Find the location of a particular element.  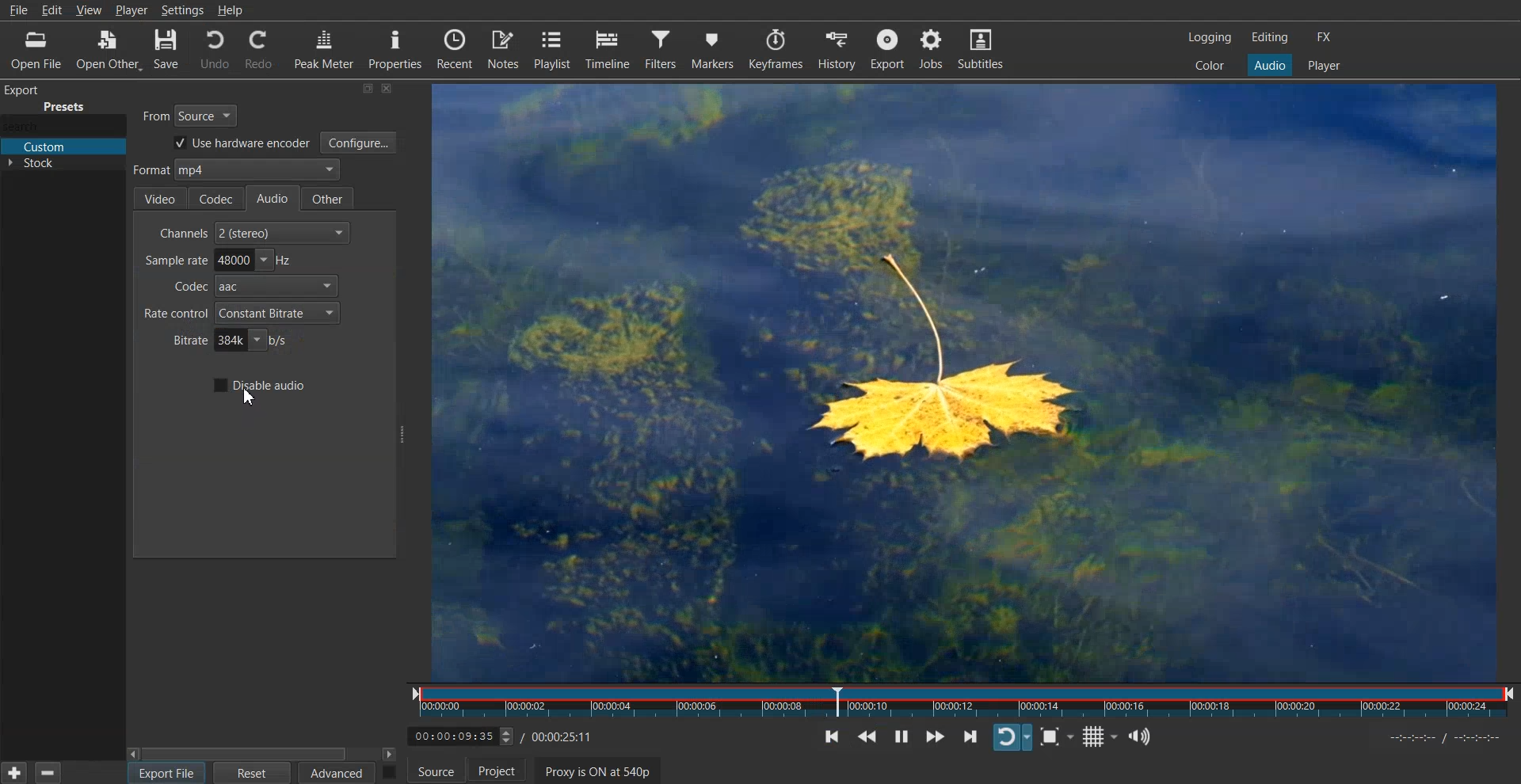

Rate control is located at coordinates (240, 313).